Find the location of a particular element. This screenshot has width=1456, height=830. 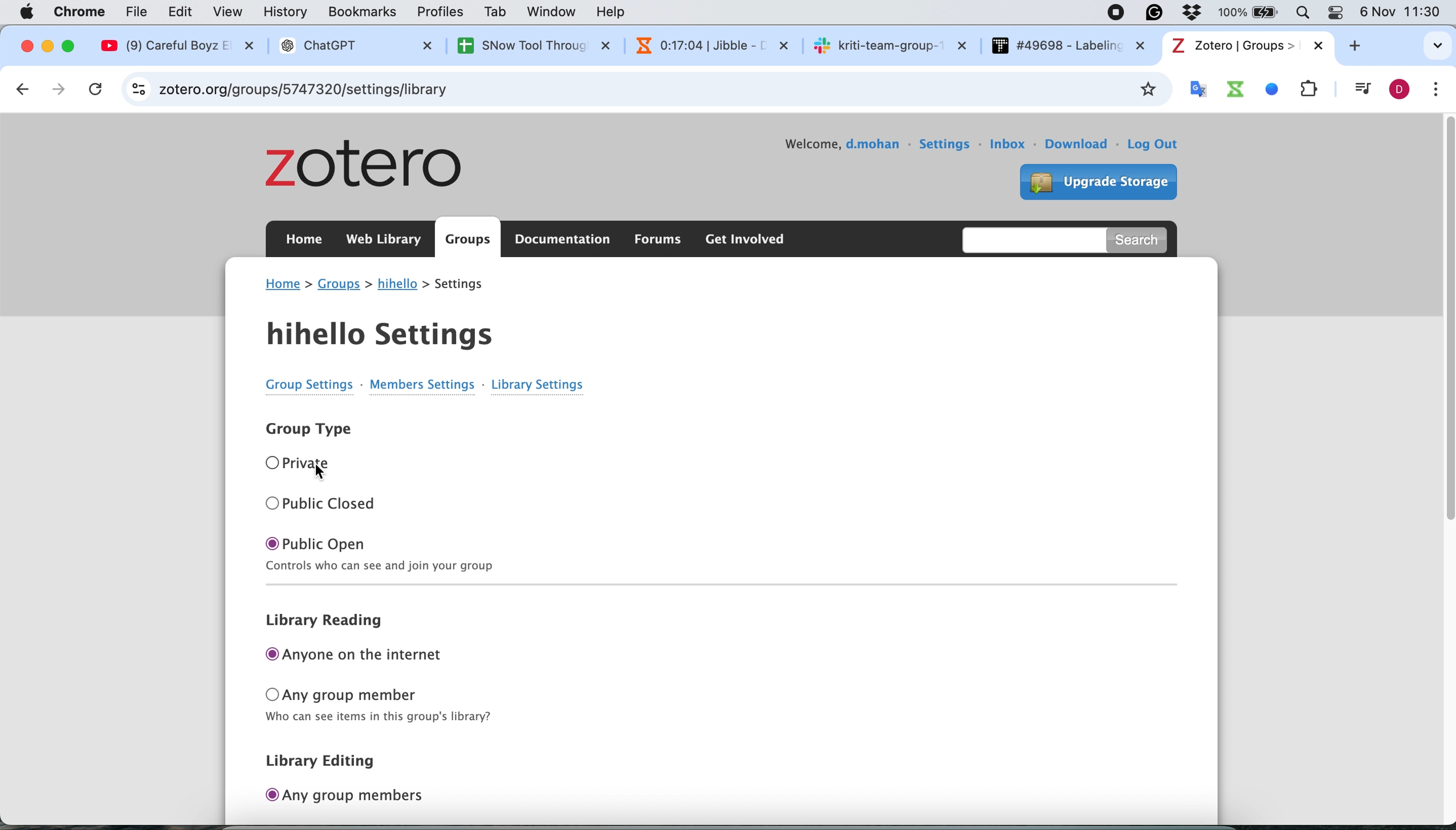

Line is located at coordinates (693, 586).